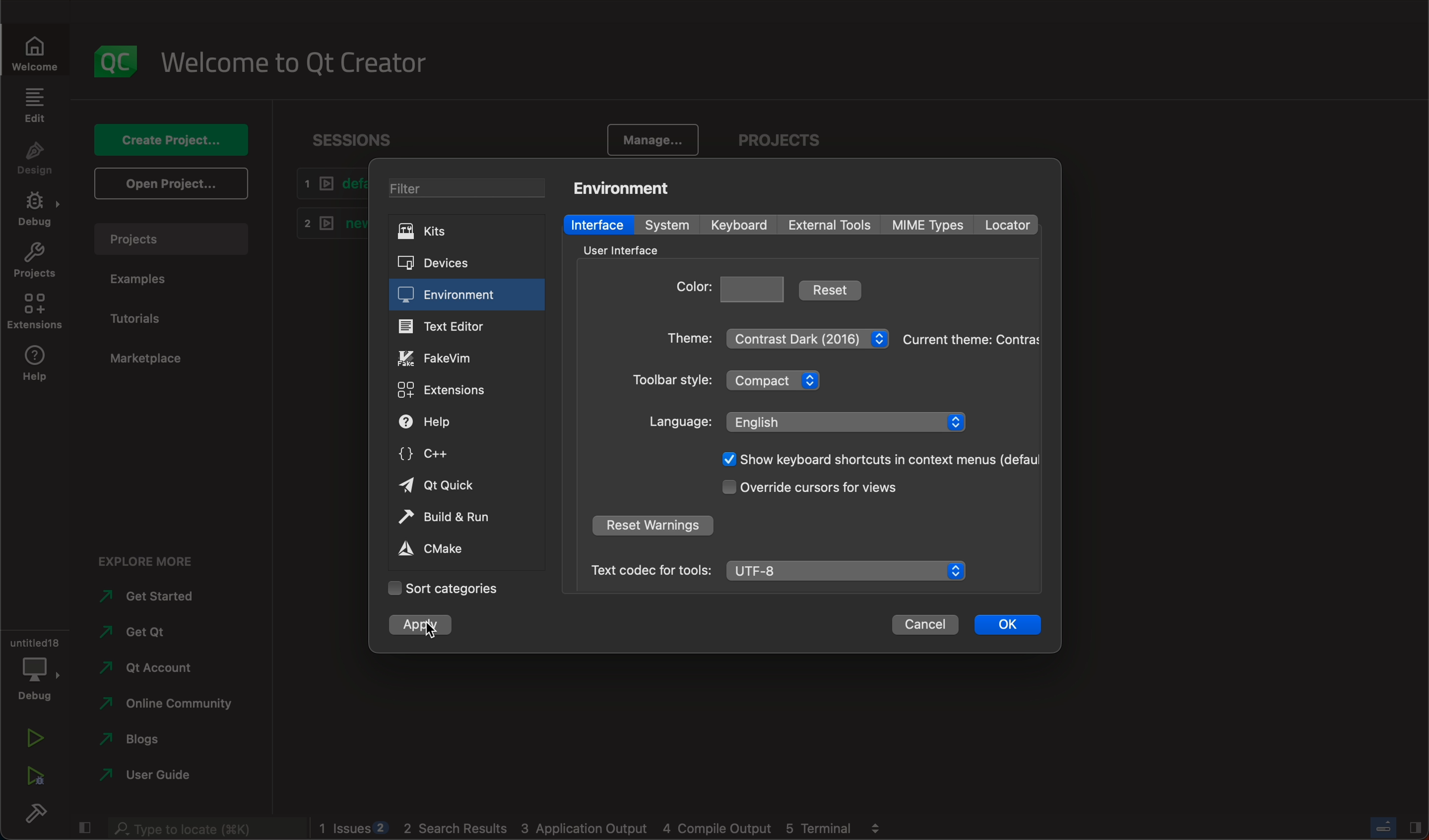 The image size is (1429, 840). What do you see at coordinates (1012, 223) in the screenshot?
I see `locator` at bounding box center [1012, 223].